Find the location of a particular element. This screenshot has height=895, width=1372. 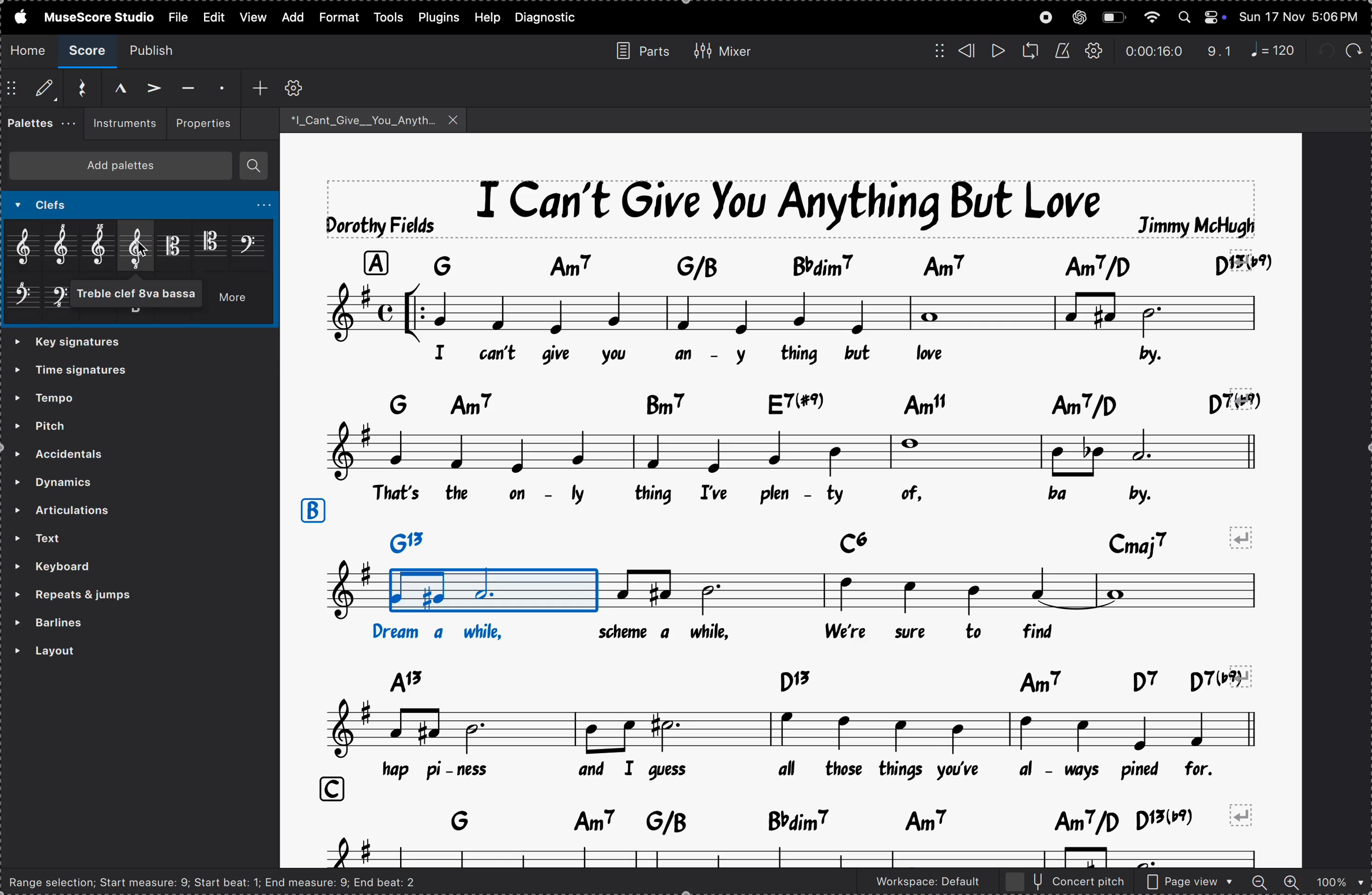

instrument is located at coordinates (120, 124).